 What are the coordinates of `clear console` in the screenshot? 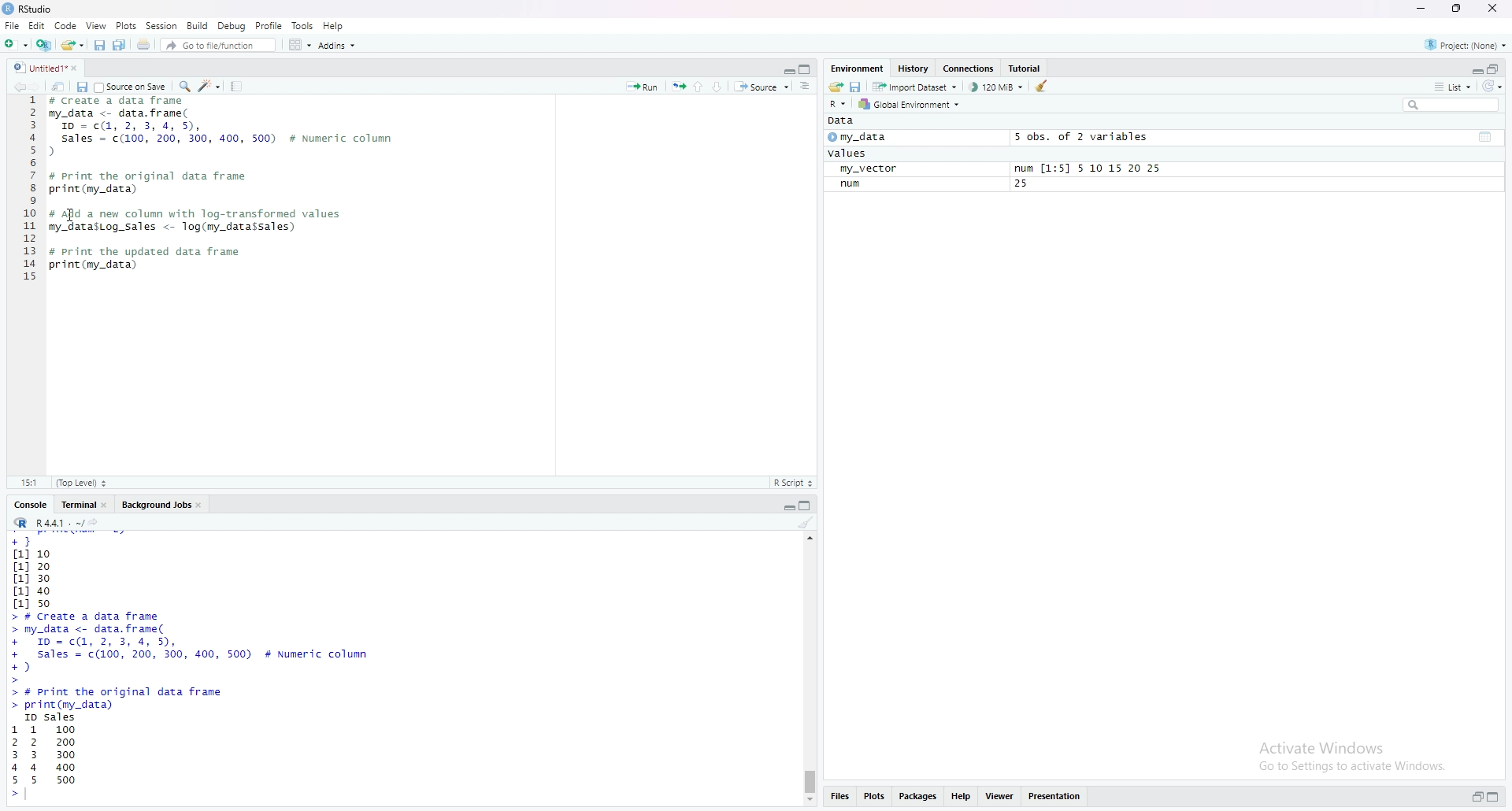 It's located at (806, 524).